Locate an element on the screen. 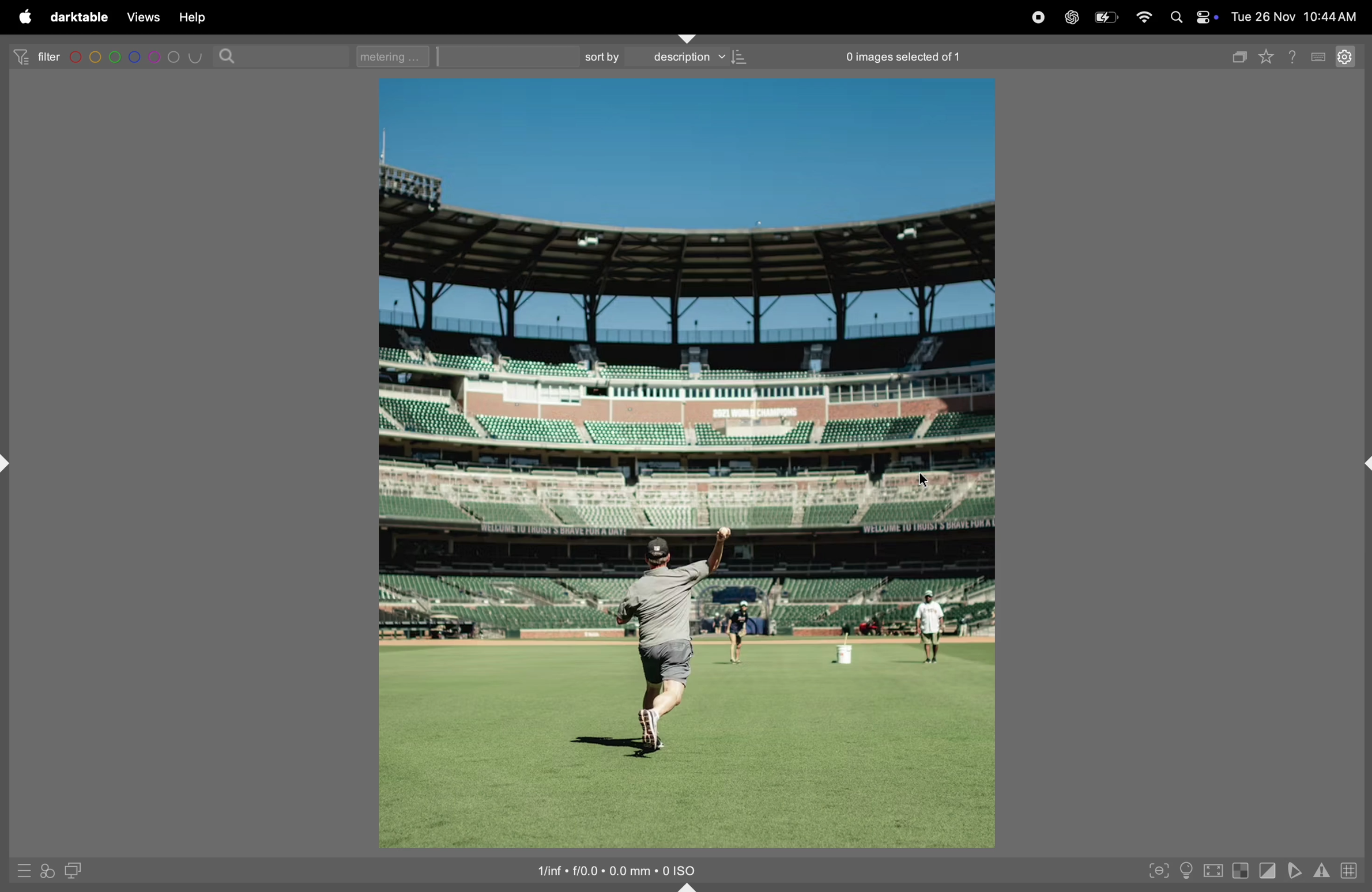 Image resolution: width=1372 pixels, height=892 pixels. favourites is located at coordinates (1269, 55).